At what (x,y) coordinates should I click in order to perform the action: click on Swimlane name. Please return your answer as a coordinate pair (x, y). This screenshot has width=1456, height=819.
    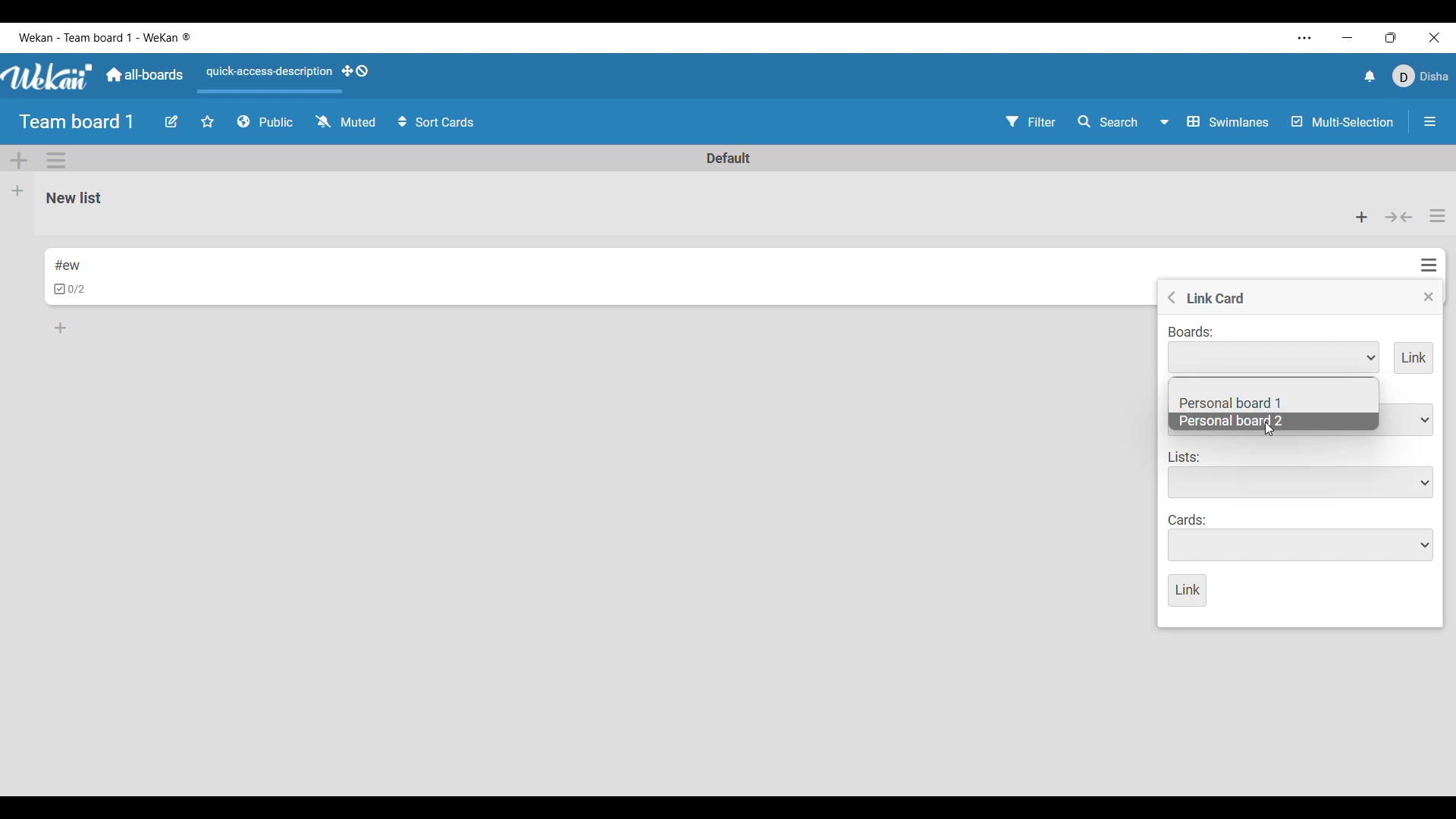
    Looking at the image, I should click on (729, 158).